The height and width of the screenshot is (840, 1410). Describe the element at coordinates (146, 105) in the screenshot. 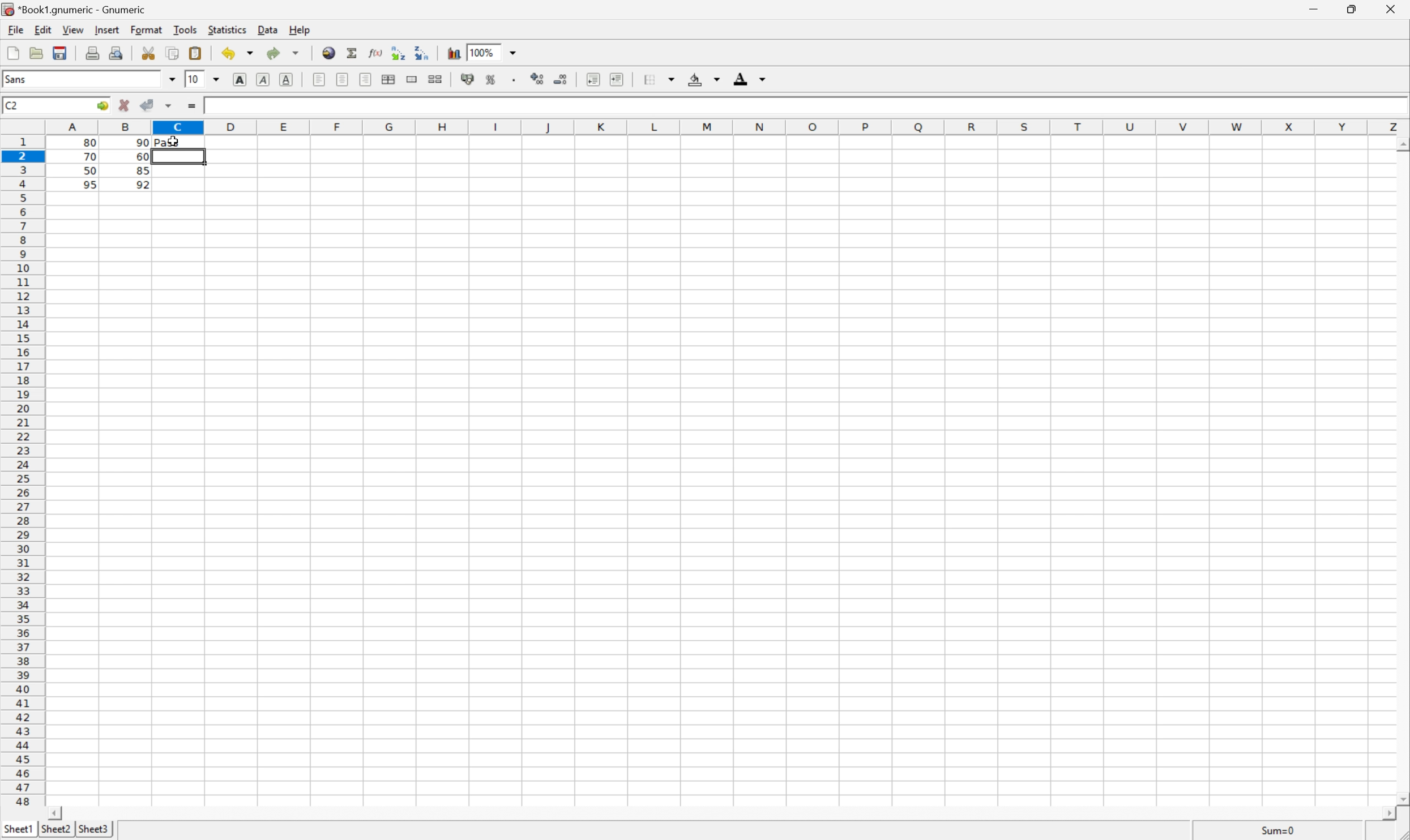

I see `Accept changes` at that location.